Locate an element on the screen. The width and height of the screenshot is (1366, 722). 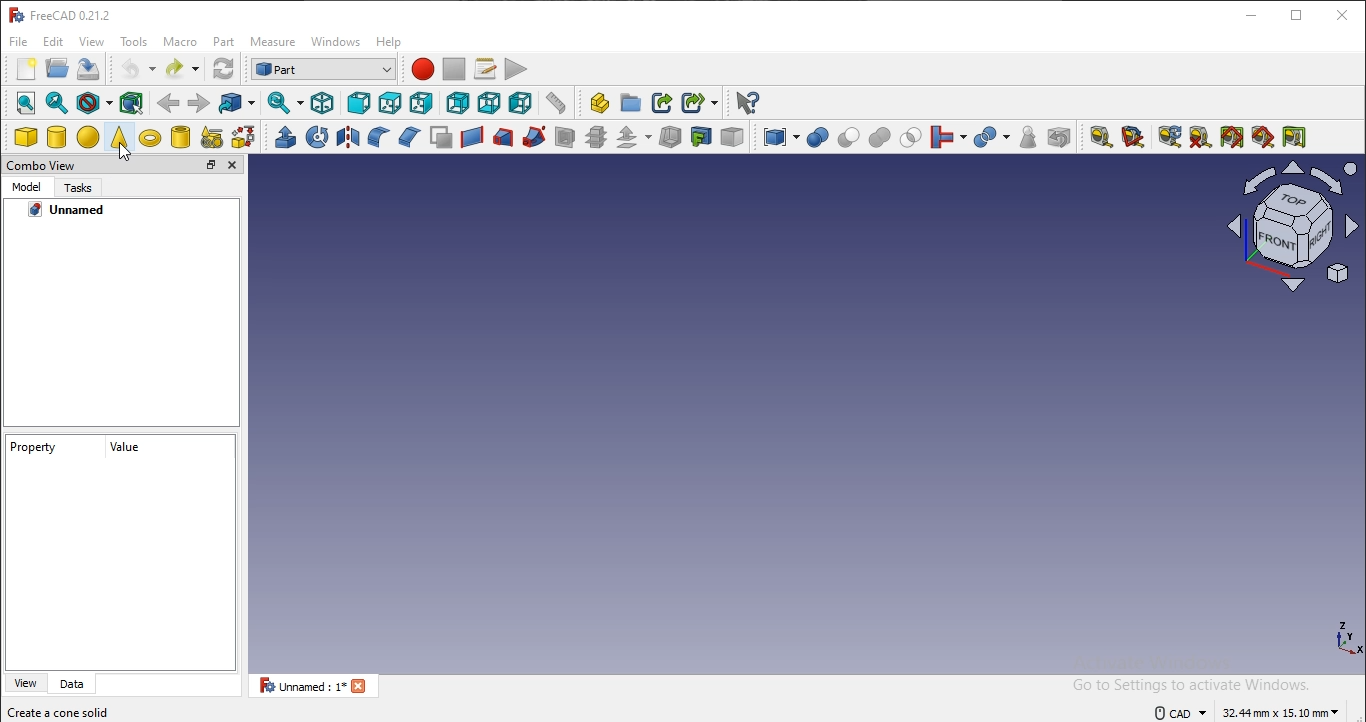
check geometry is located at coordinates (1030, 136).